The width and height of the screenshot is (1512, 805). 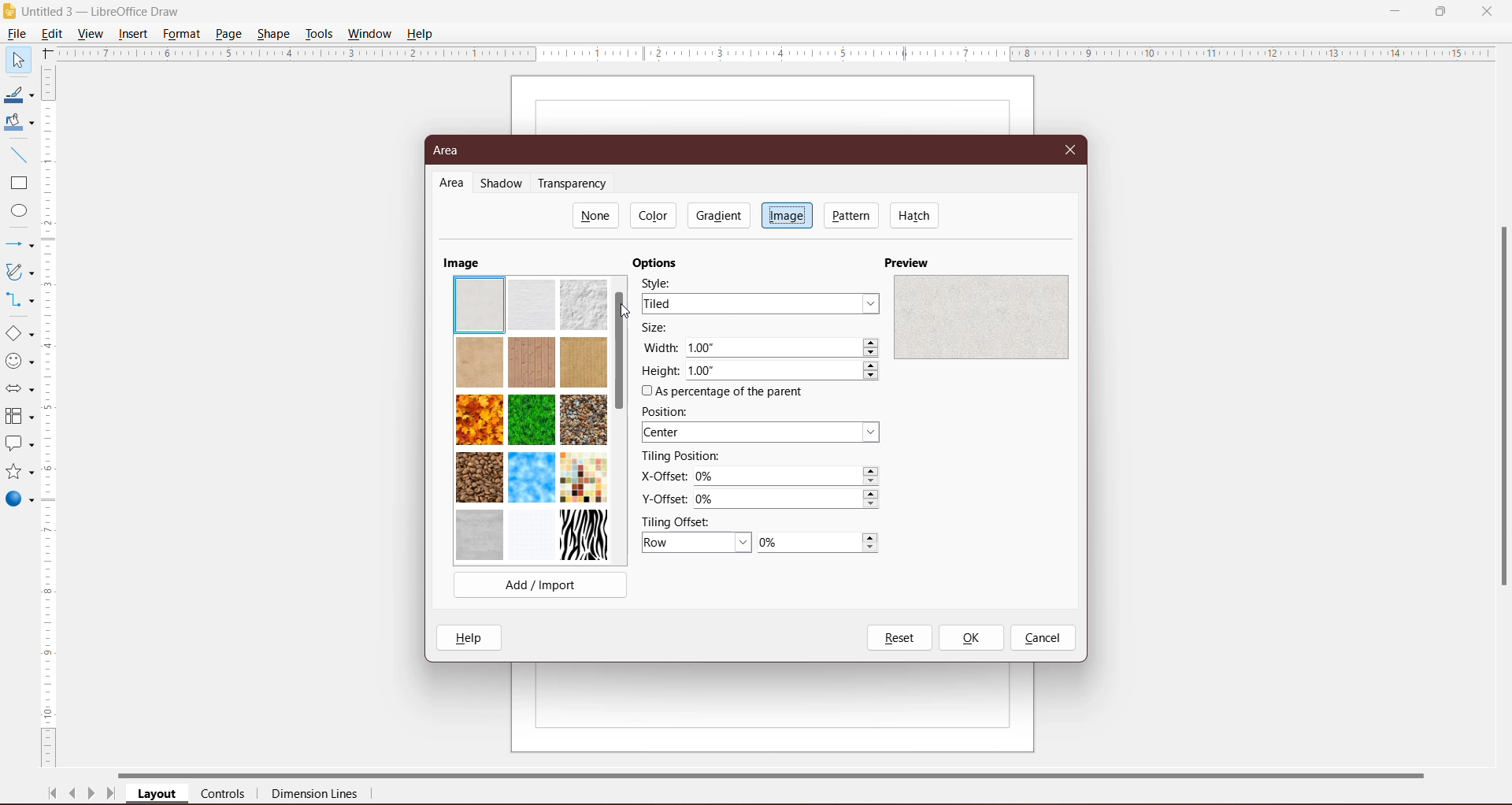 I want to click on Cursor, so click(x=627, y=313).